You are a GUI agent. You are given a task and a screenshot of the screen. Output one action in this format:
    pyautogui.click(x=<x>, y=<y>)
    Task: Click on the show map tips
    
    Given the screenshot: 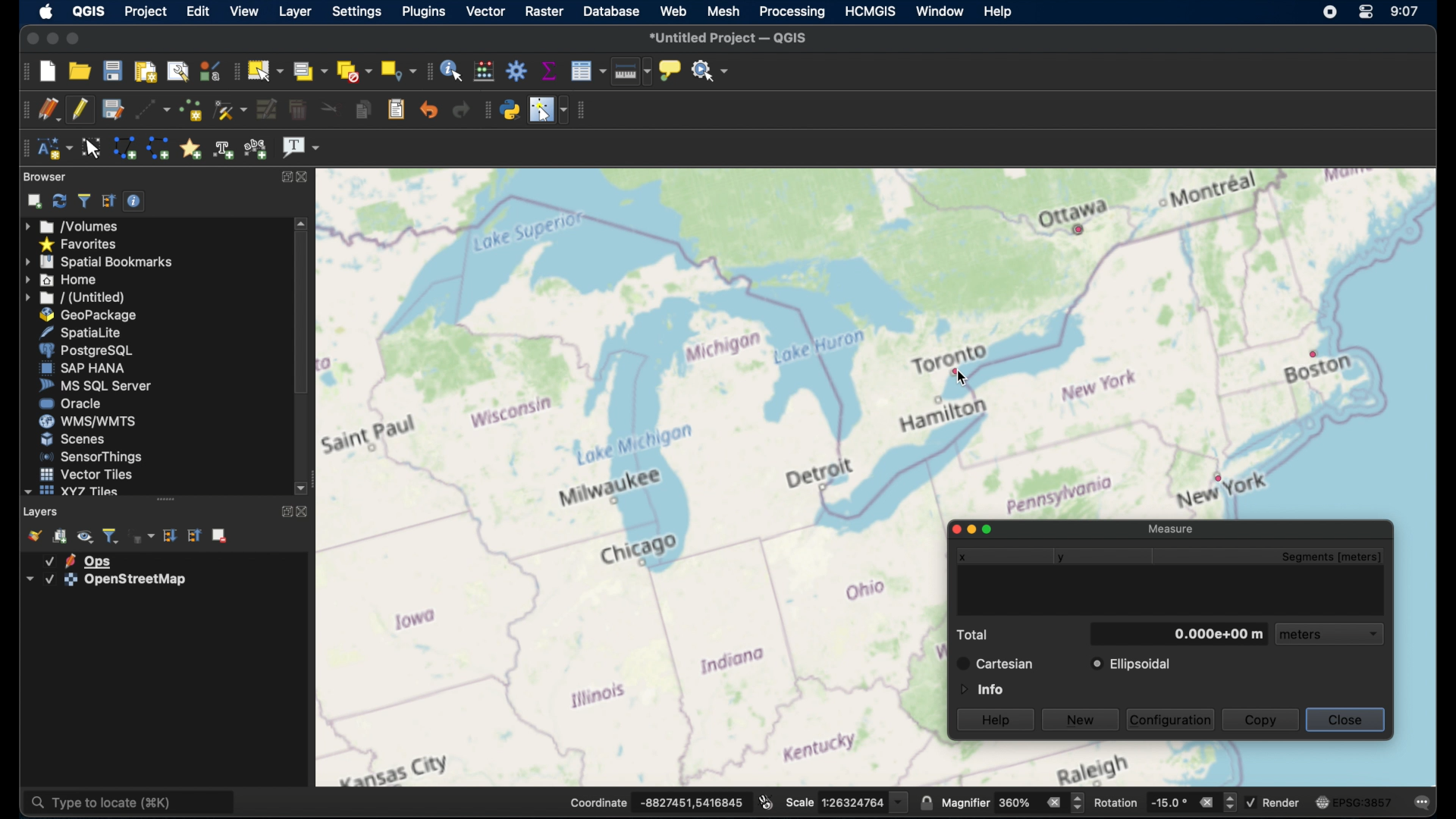 What is the action you would take?
    pyautogui.click(x=672, y=71)
    